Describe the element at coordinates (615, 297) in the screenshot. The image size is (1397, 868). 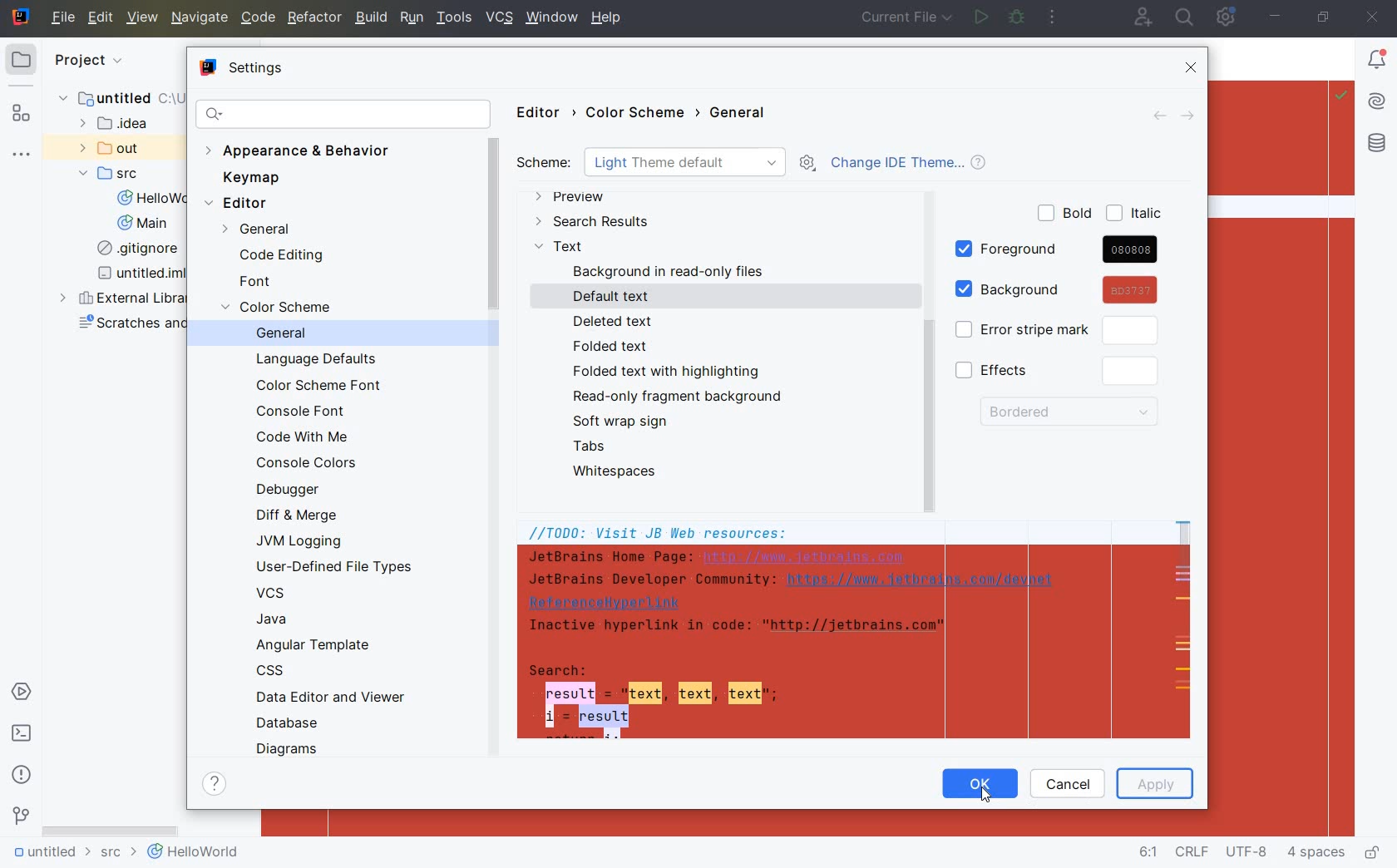
I see `DEFAULT TEXT` at that location.